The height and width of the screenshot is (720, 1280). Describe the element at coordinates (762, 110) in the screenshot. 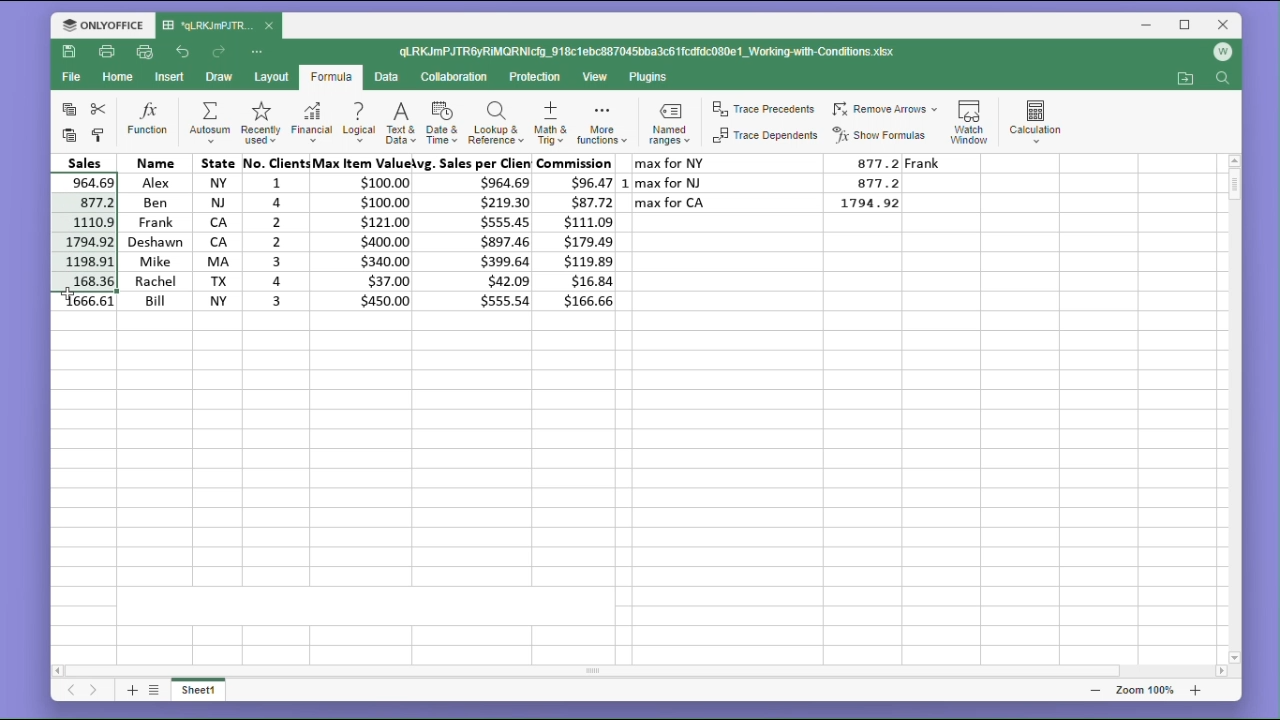

I see `trace predecents` at that location.